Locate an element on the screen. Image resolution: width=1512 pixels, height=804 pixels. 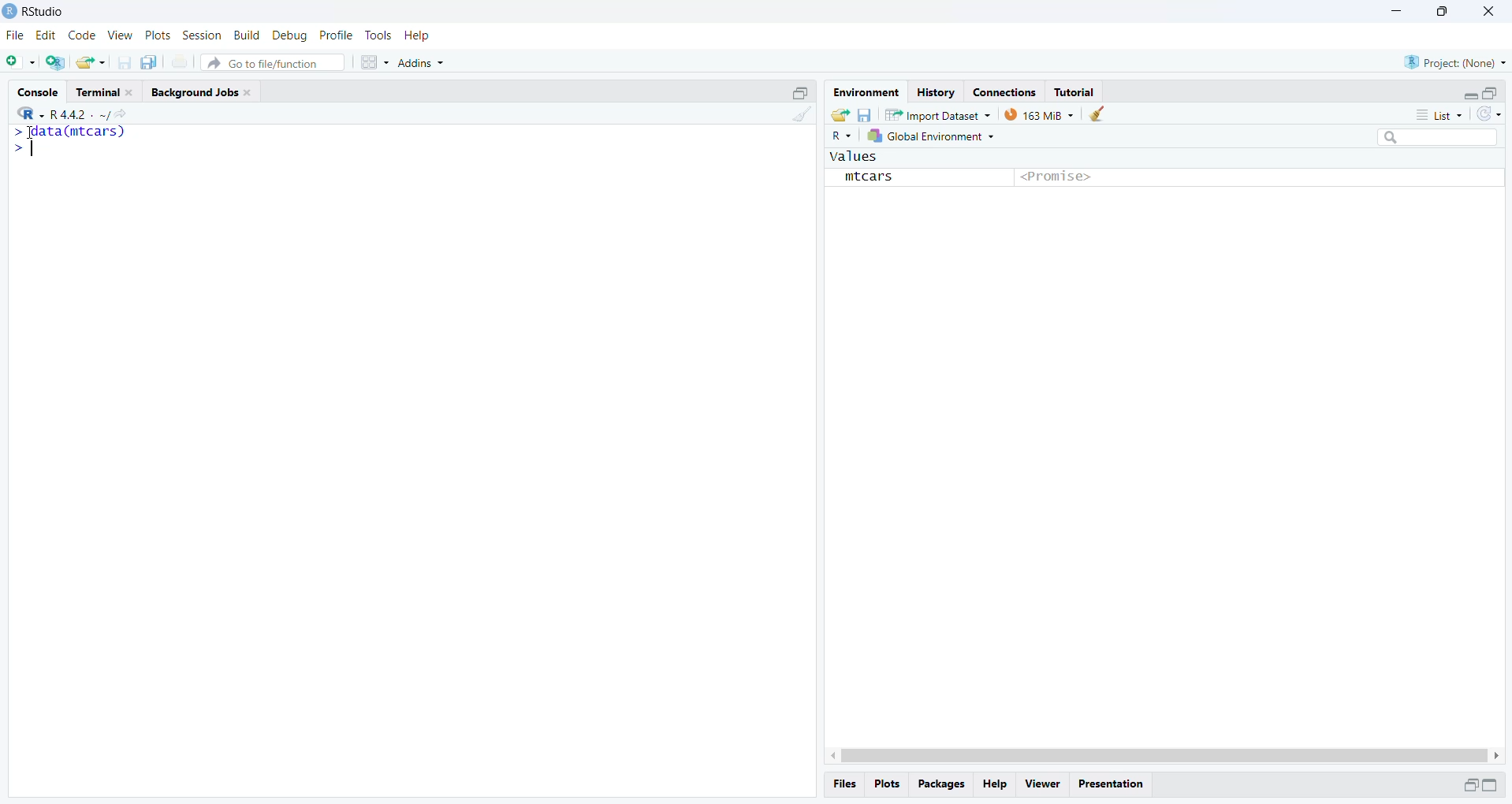
expand/collapse is located at coordinates (1468, 95).